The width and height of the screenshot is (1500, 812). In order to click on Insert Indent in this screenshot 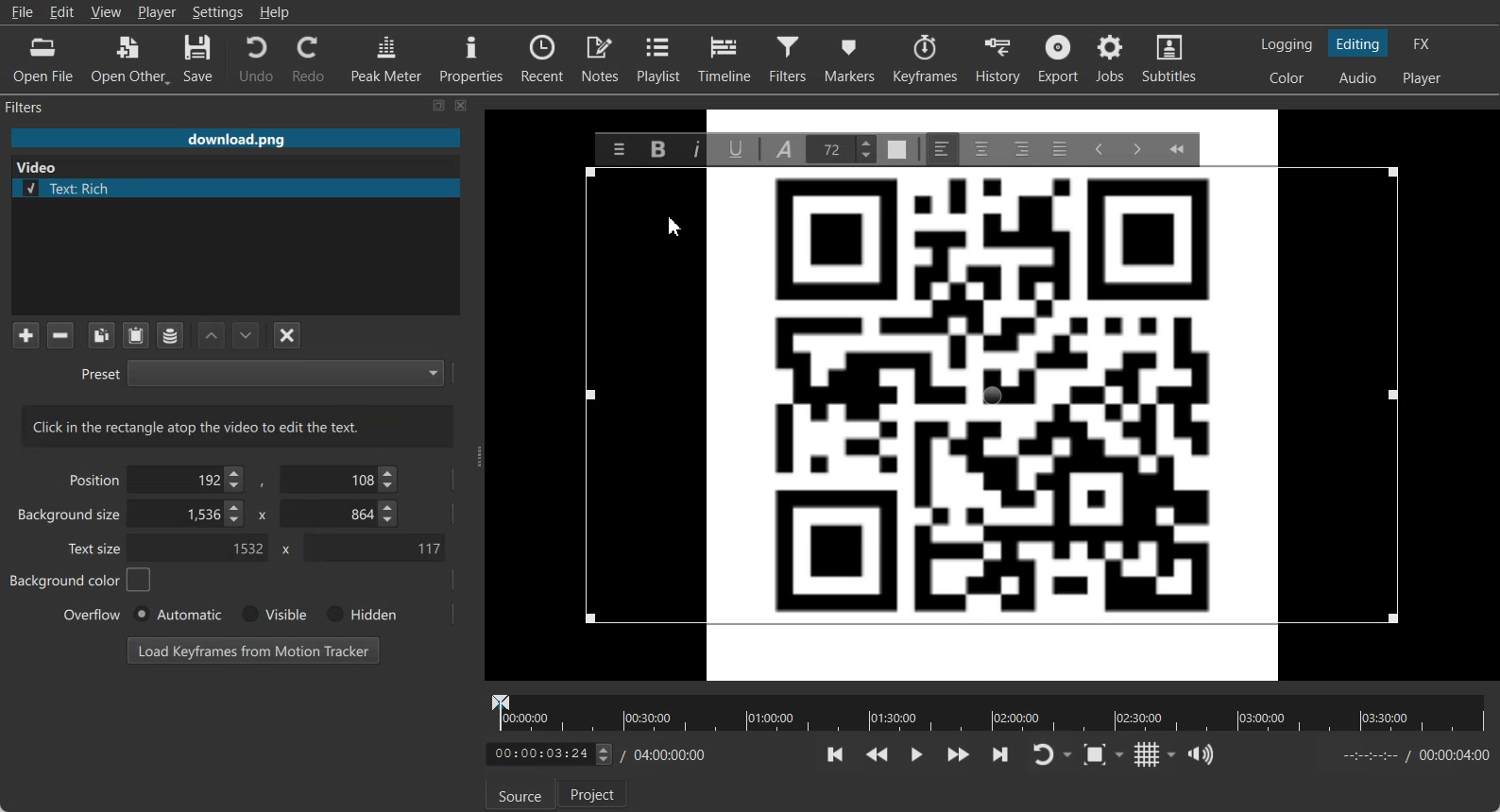, I will do `click(1135, 148)`.